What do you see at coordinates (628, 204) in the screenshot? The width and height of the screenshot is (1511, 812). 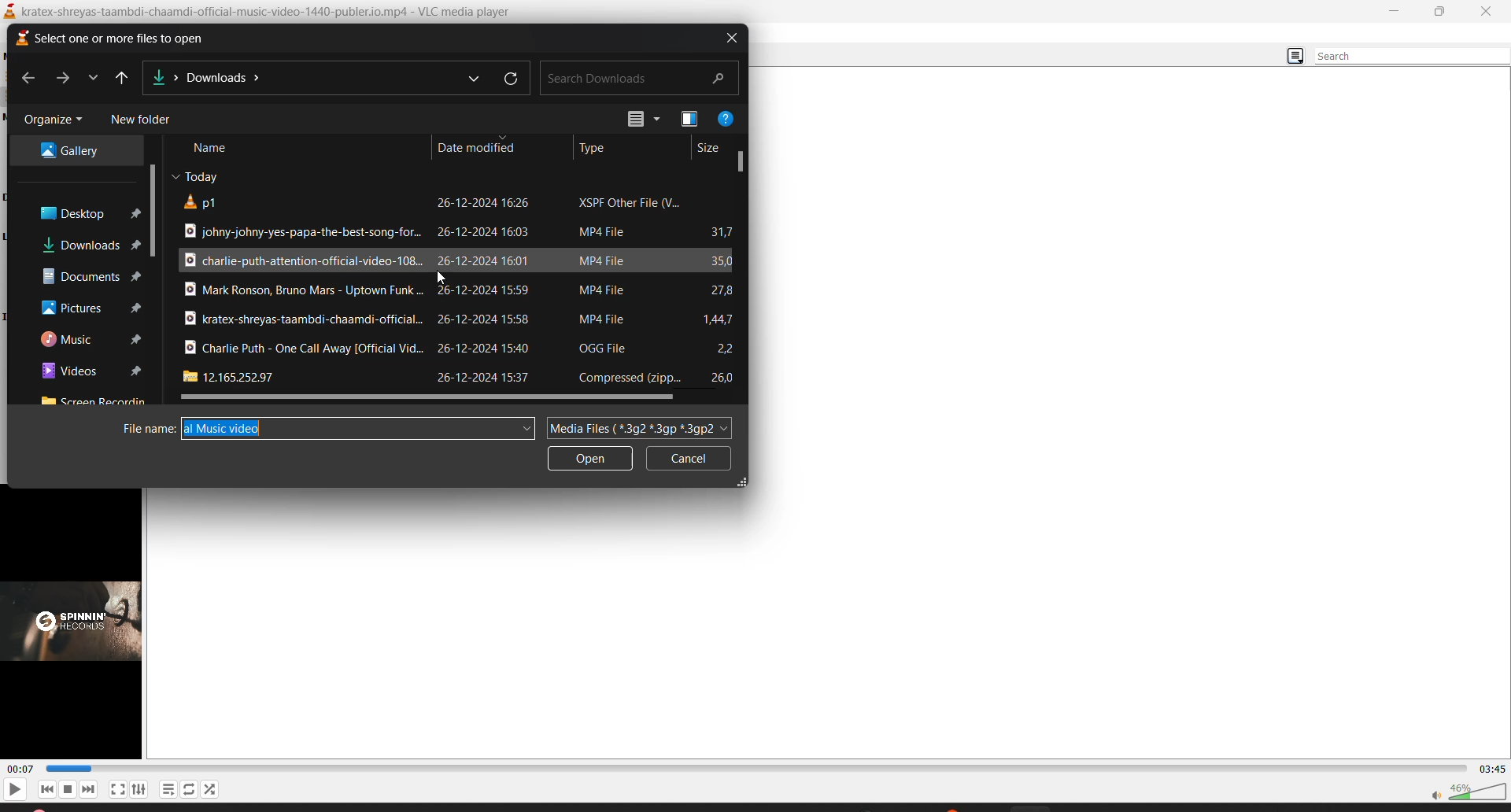 I see `file type` at bounding box center [628, 204].